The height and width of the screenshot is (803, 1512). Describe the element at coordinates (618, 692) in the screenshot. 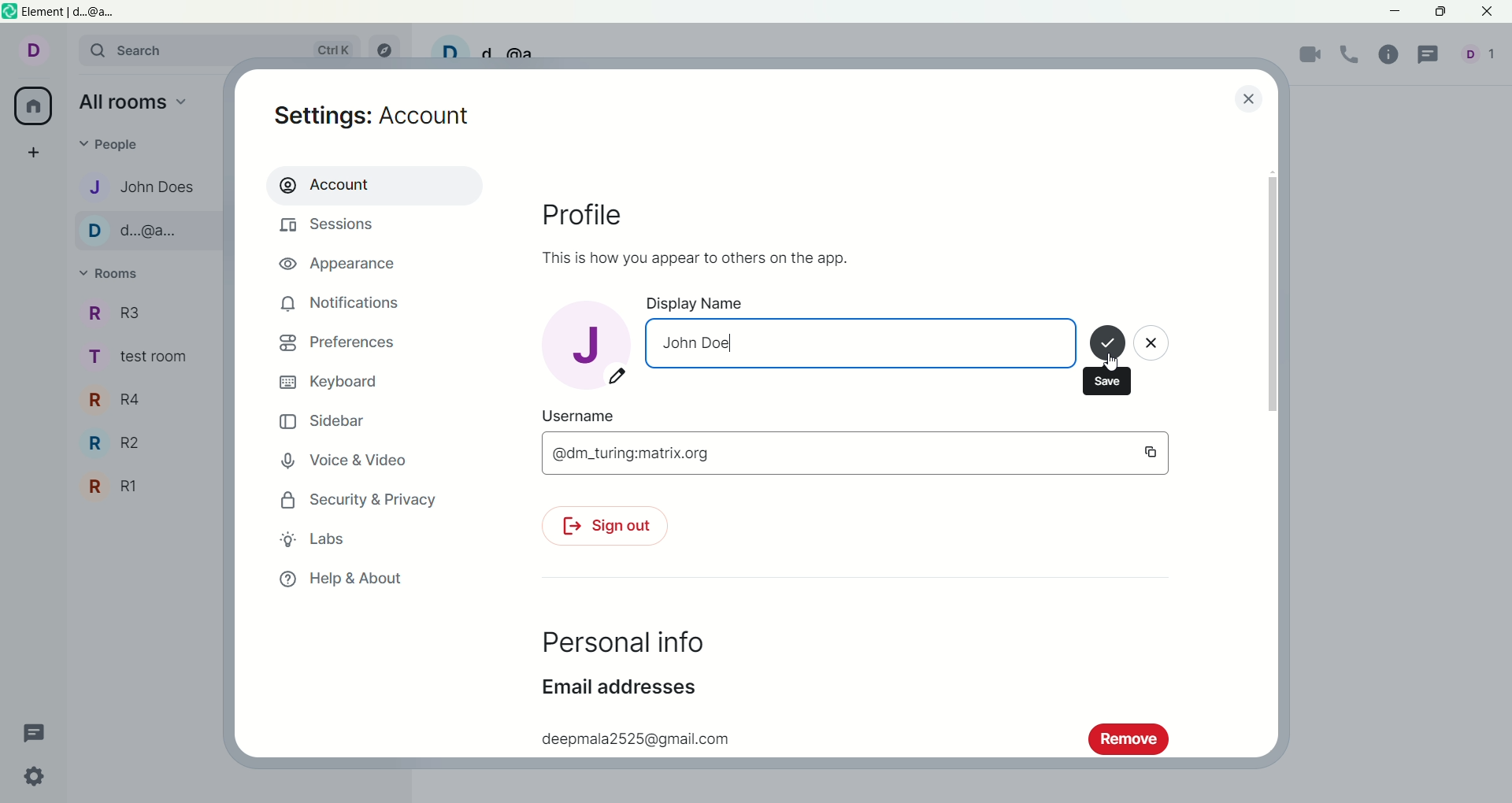

I see `email address` at that location.